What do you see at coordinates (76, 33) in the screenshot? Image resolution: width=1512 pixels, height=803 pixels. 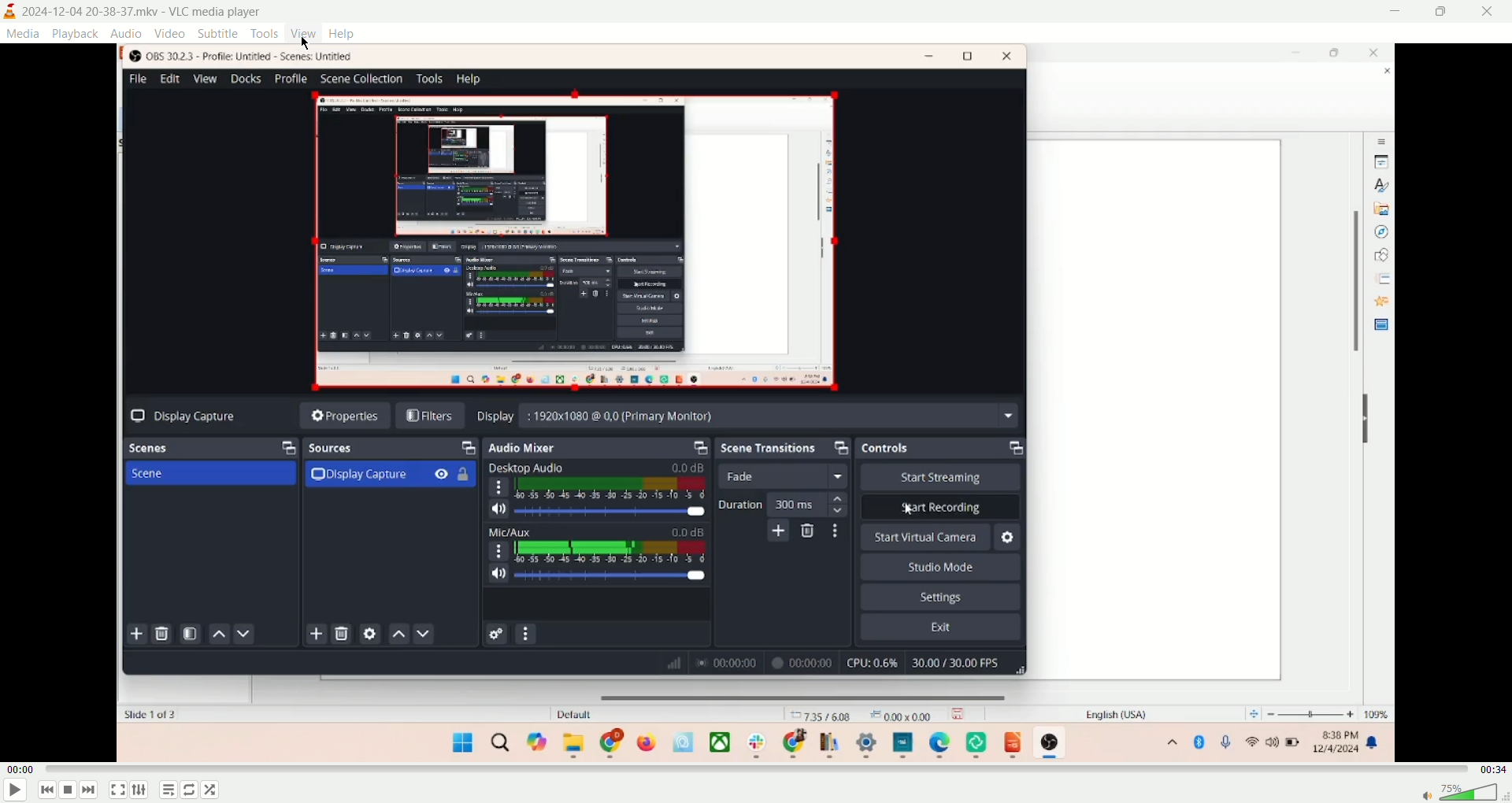 I see `playback` at bounding box center [76, 33].